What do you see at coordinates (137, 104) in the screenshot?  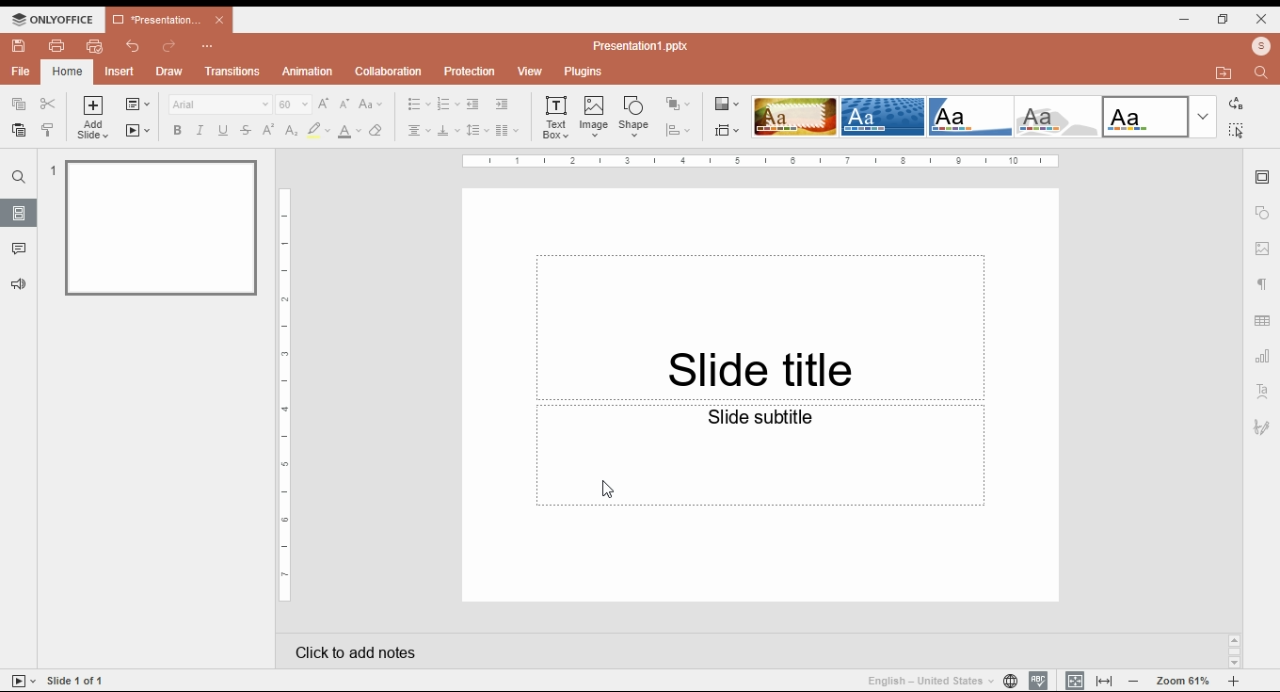 I see `change slide layout` at bounding box center [137, 104].